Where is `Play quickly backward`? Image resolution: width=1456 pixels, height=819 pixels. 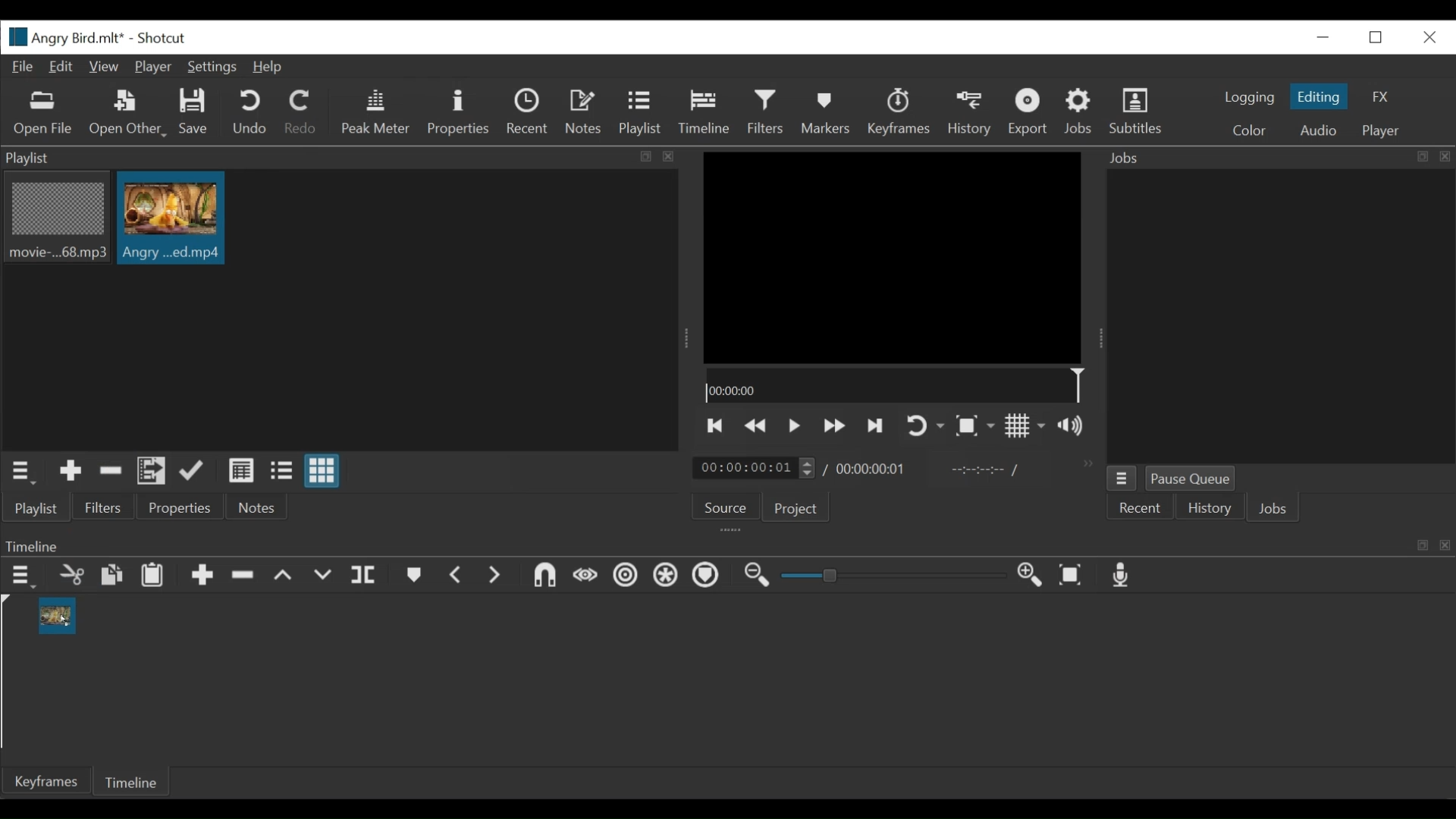
Play quickly backward is located at coordinates (758, 427).